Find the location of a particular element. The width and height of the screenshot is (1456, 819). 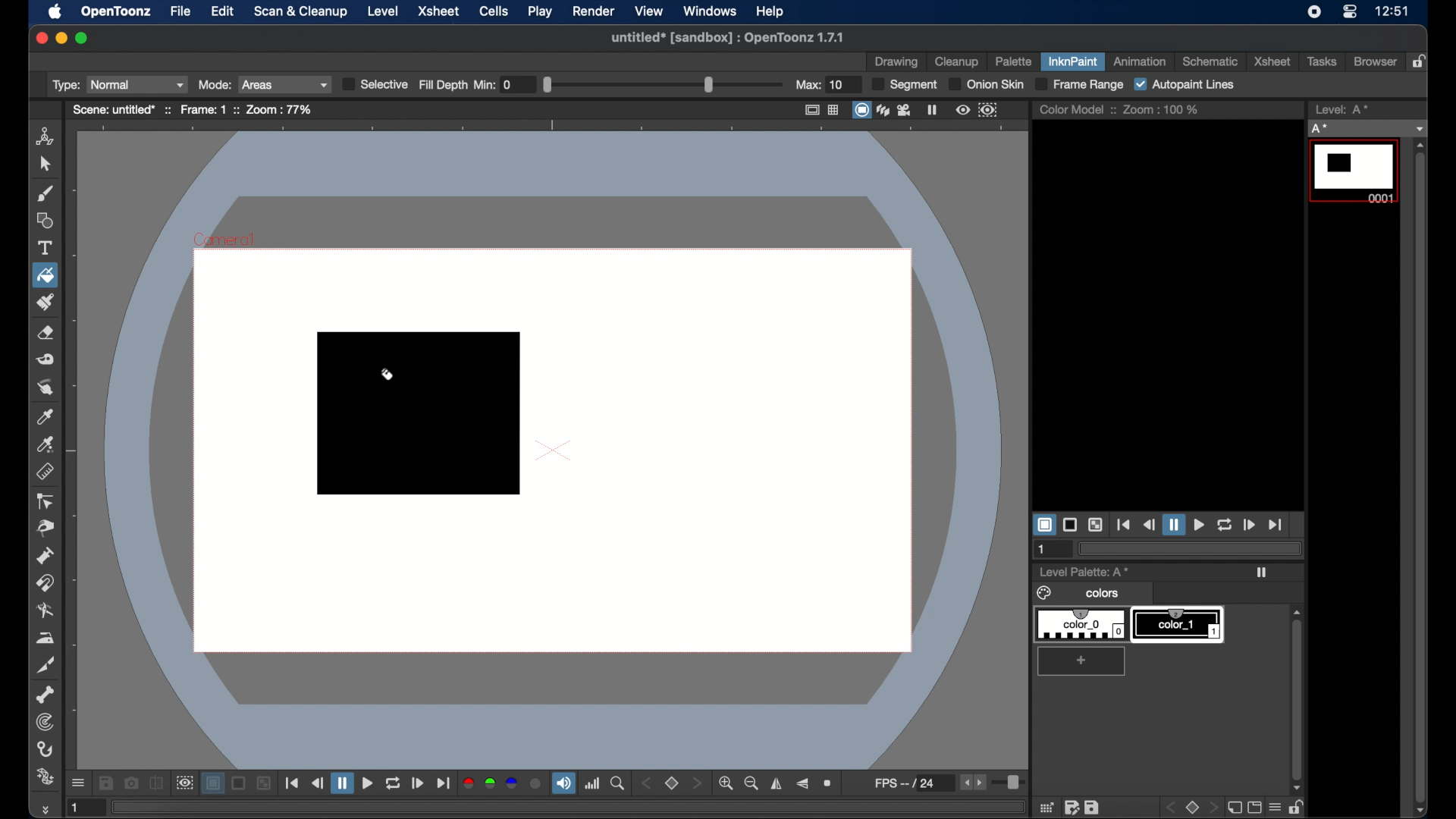

freeze is located at coordinates (933, 109).